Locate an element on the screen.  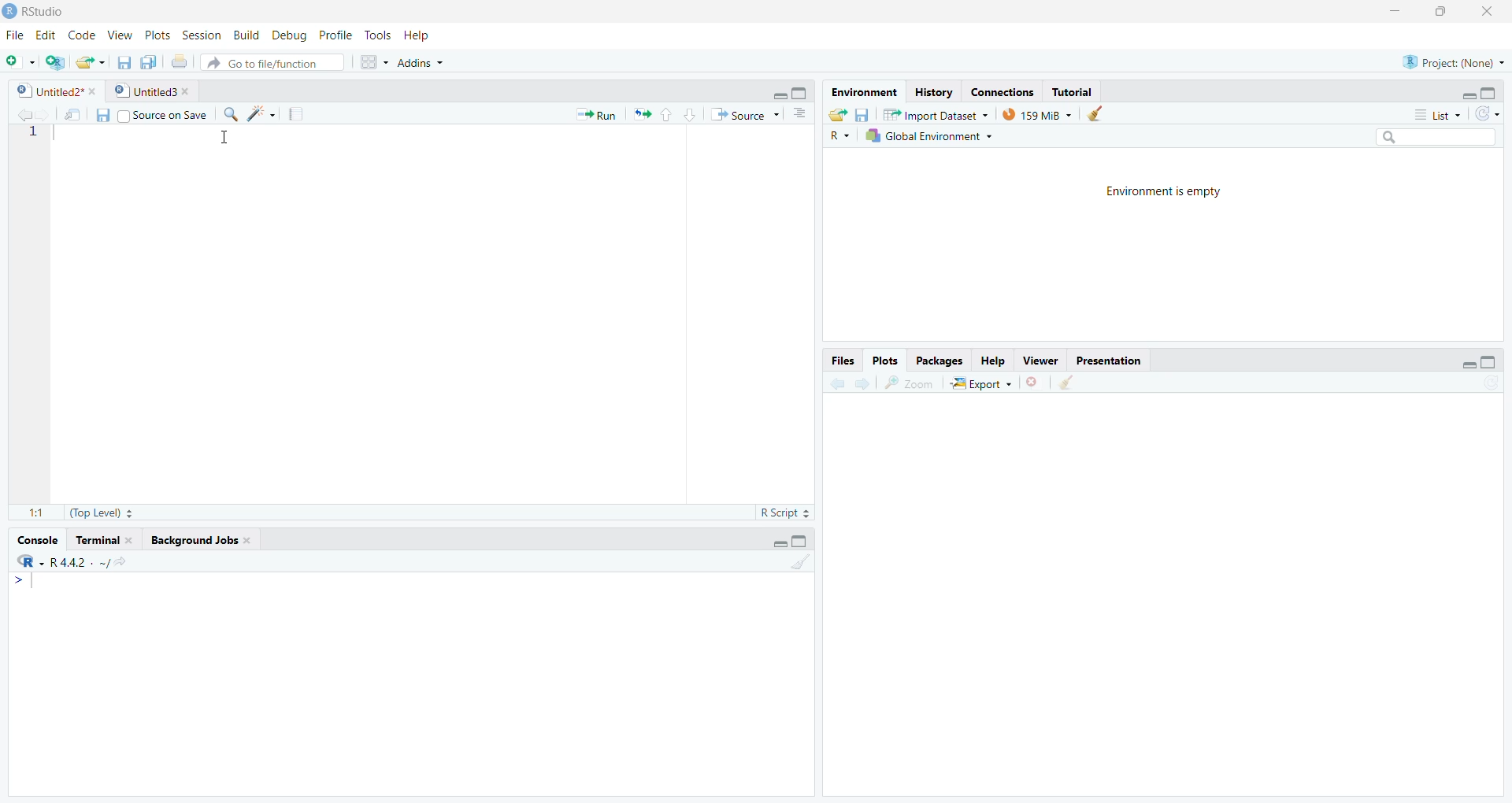
Save is located at coordinates (863, 115).